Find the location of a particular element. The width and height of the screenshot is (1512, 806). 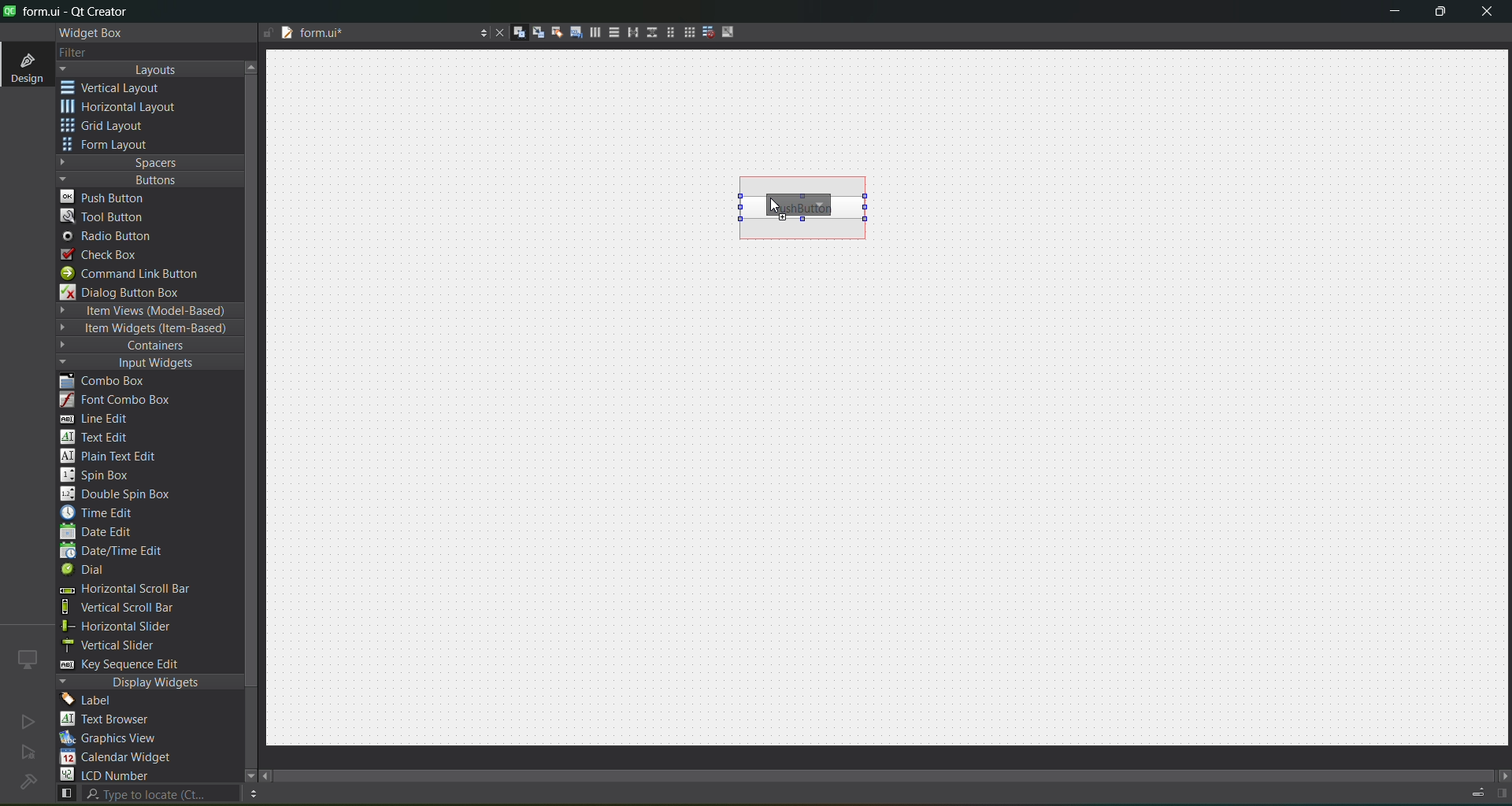

tool is located at coordinates (106, 216).